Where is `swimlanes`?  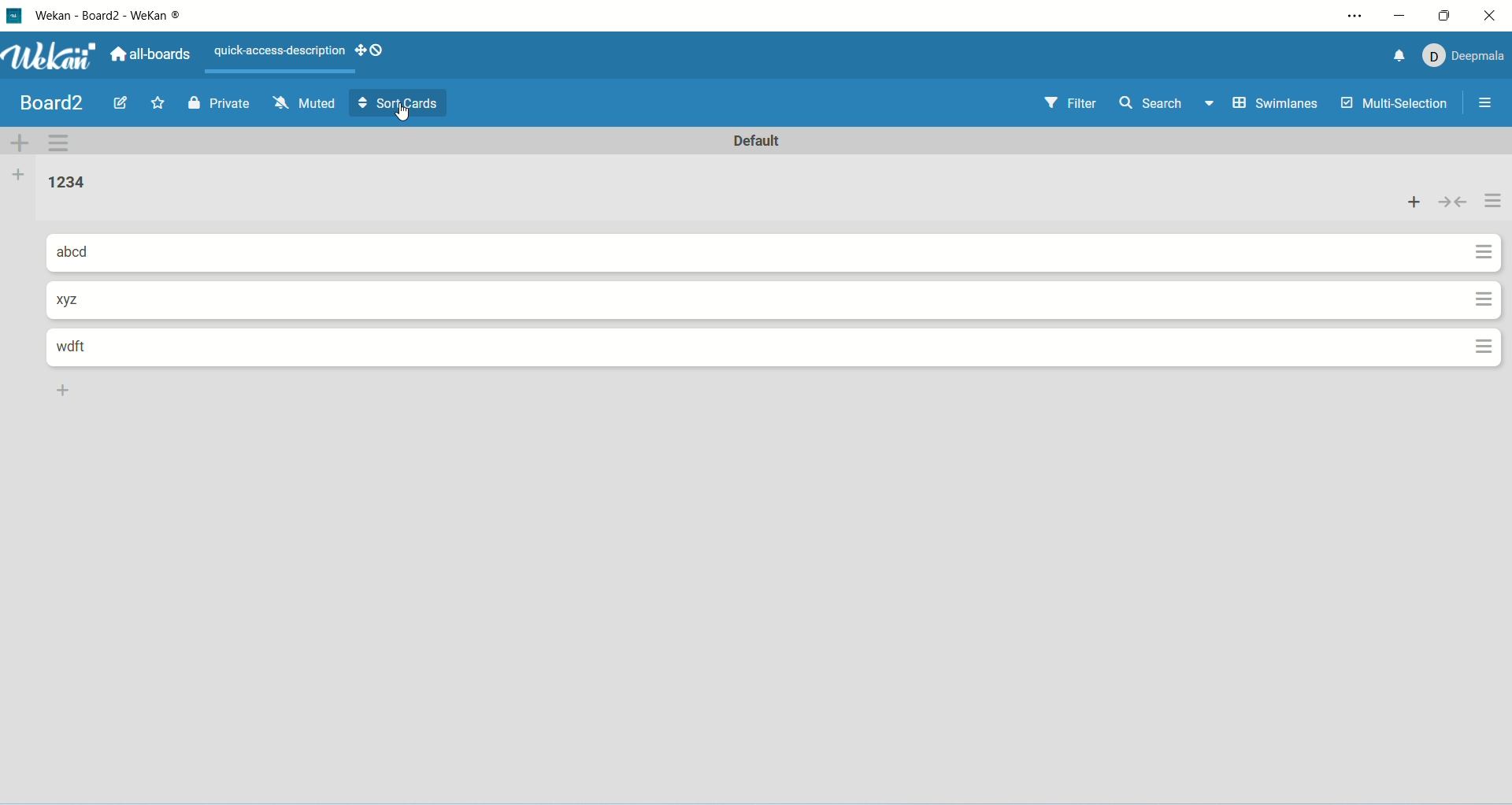
swimlanes is located at coordinates (1278, 105).